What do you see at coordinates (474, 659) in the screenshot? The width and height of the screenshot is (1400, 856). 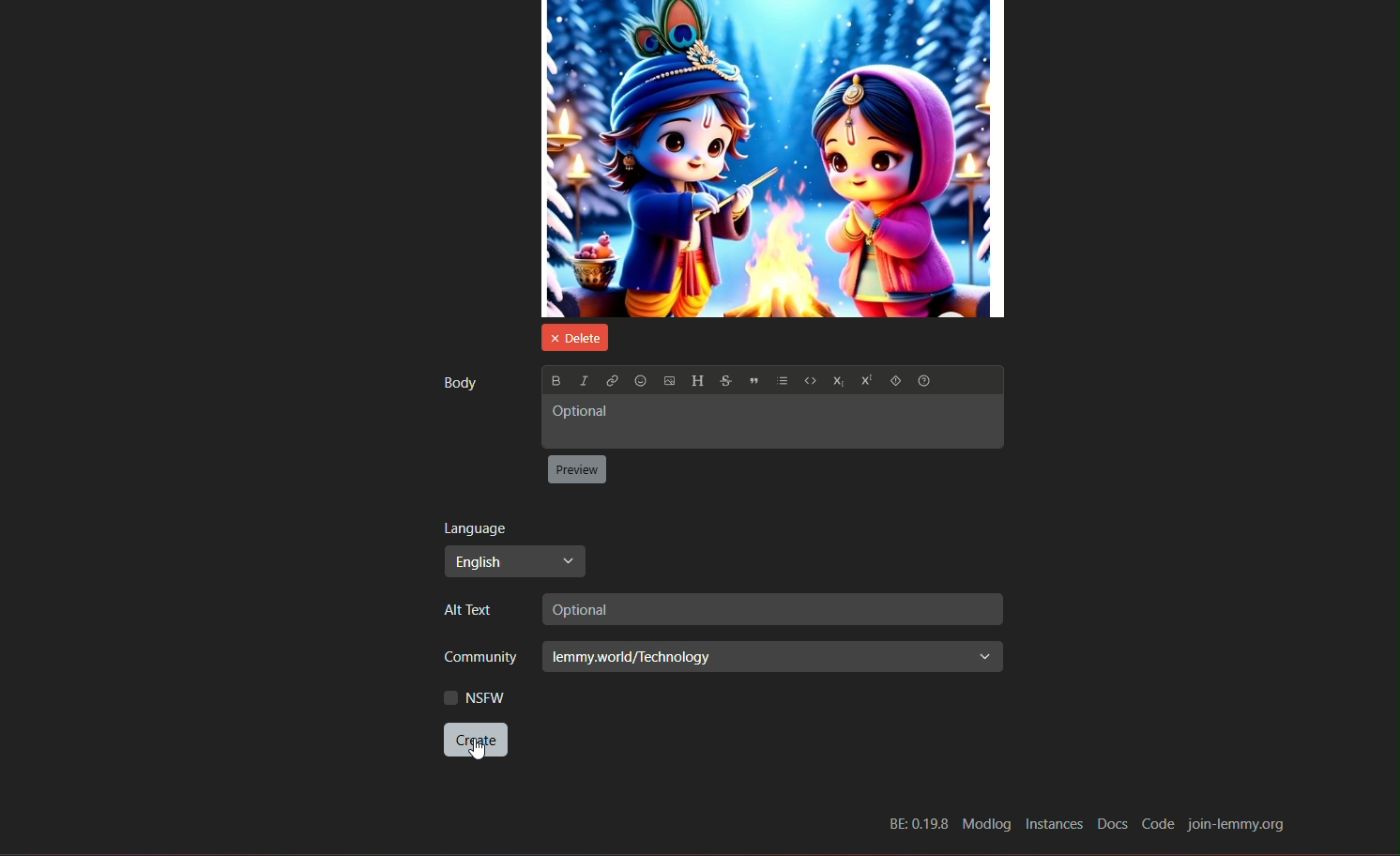 I see `Community` at bounding box center [474, 659].